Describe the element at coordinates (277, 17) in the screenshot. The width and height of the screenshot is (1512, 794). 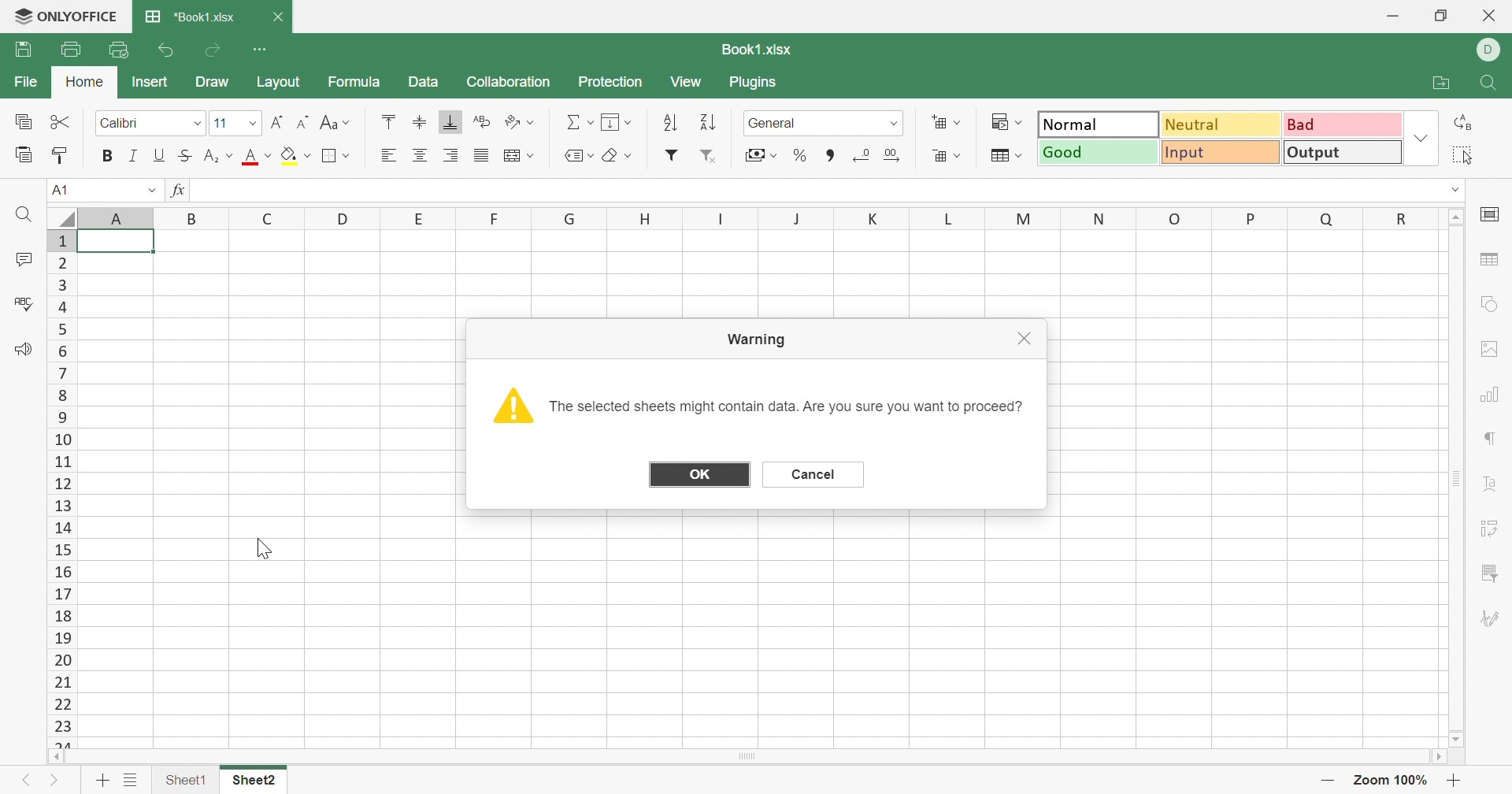
I see `Close` at that location.